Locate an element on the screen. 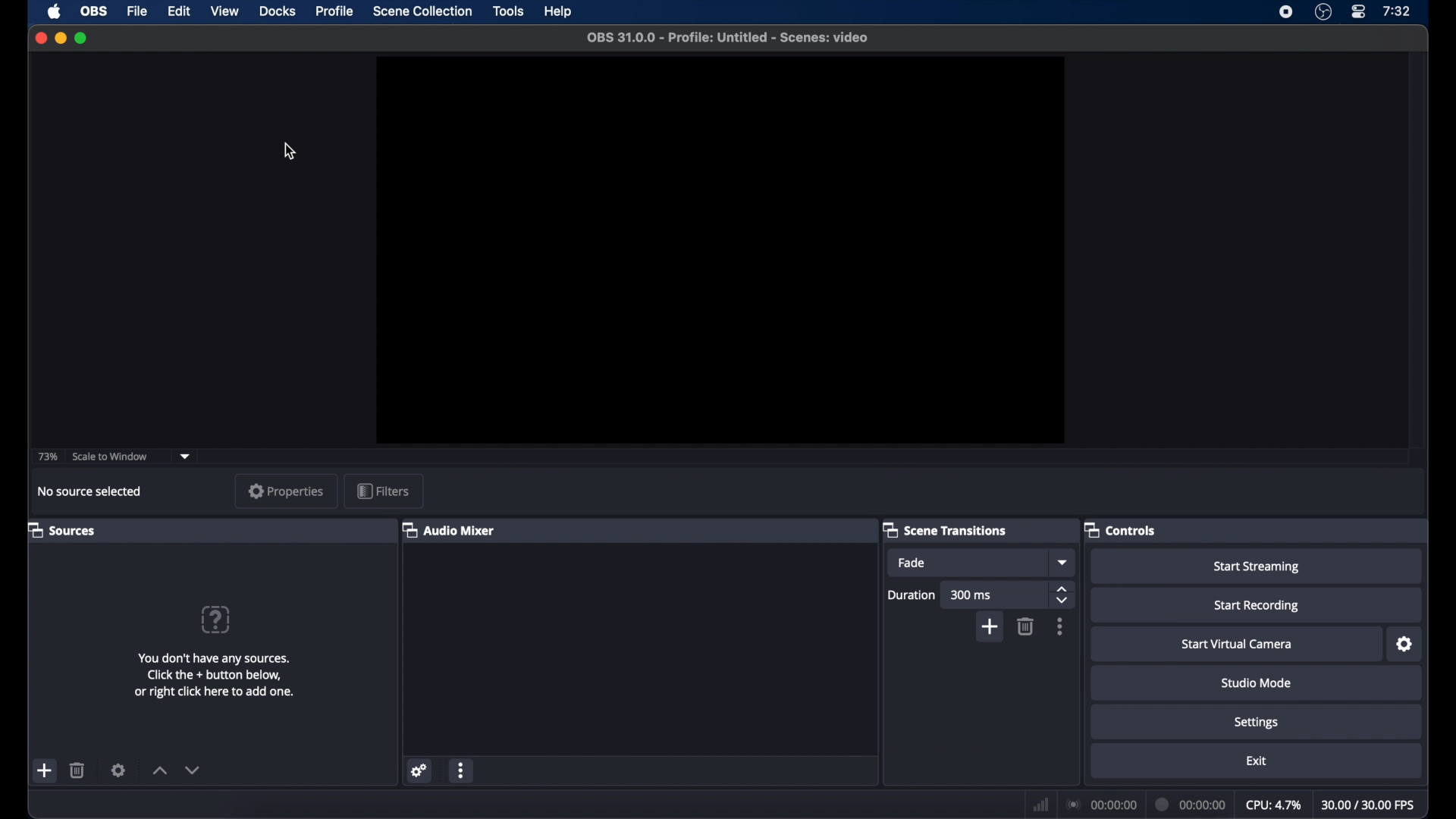 The width and height of the screenshot is (1456, 819). delete is located at coordinates (78, 770).